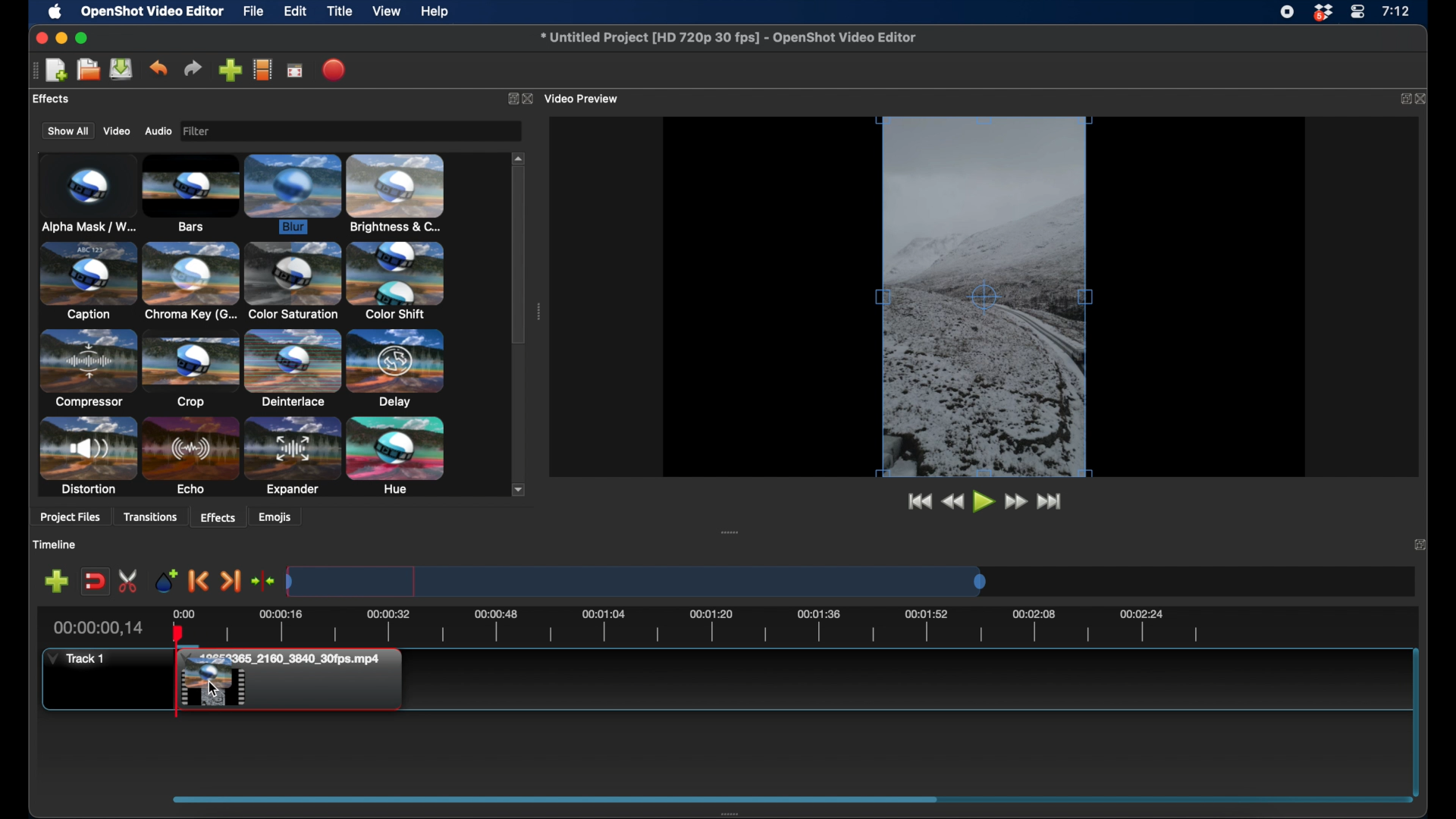 Image resolution: width=1456 pixels, height=819 pixels. Describe the element at coordinates (293, 457) in the screenshot. I see `expander` at that location.